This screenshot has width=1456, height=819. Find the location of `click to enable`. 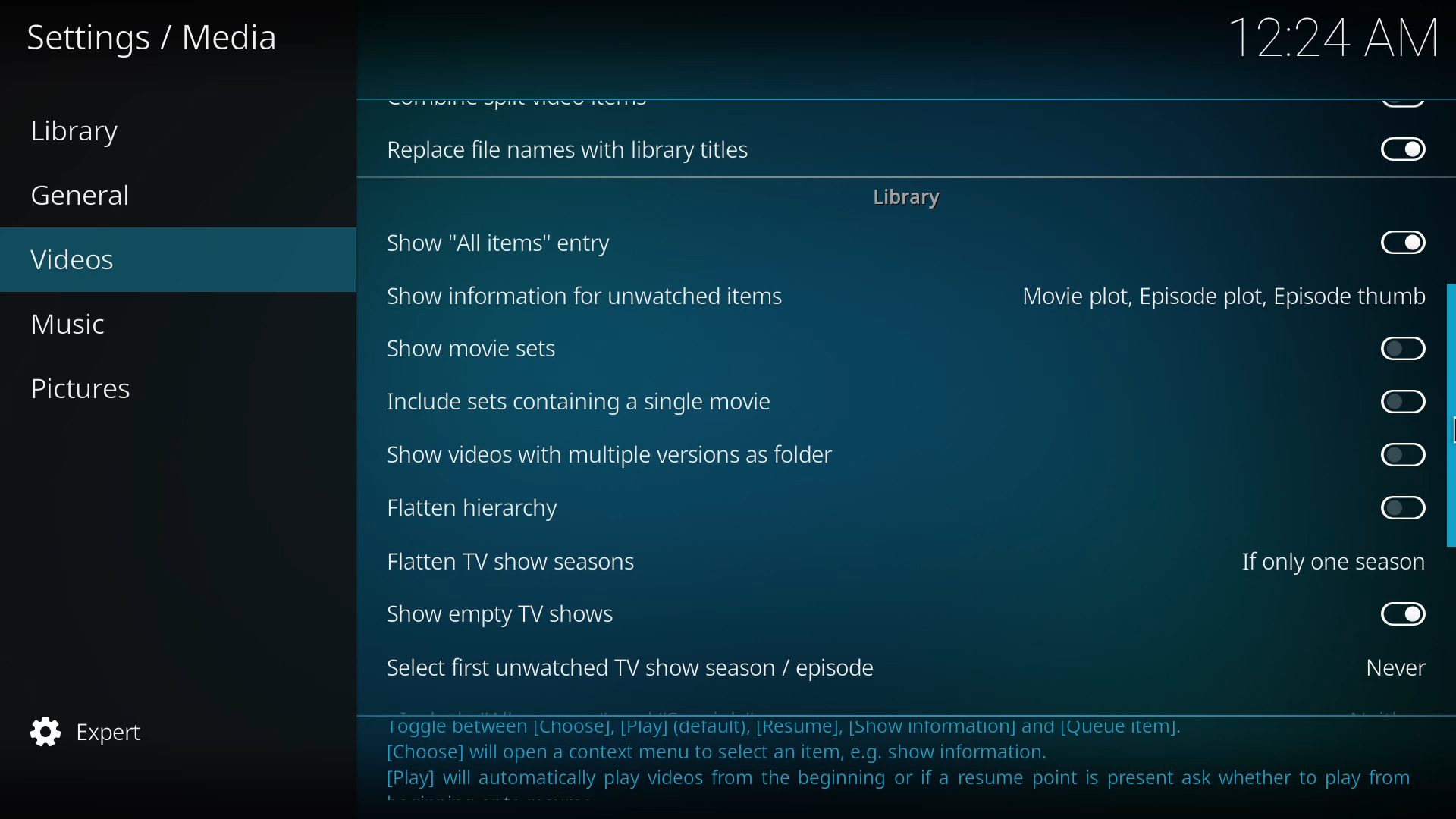

click to enable is located at coordinates (1398, 347).